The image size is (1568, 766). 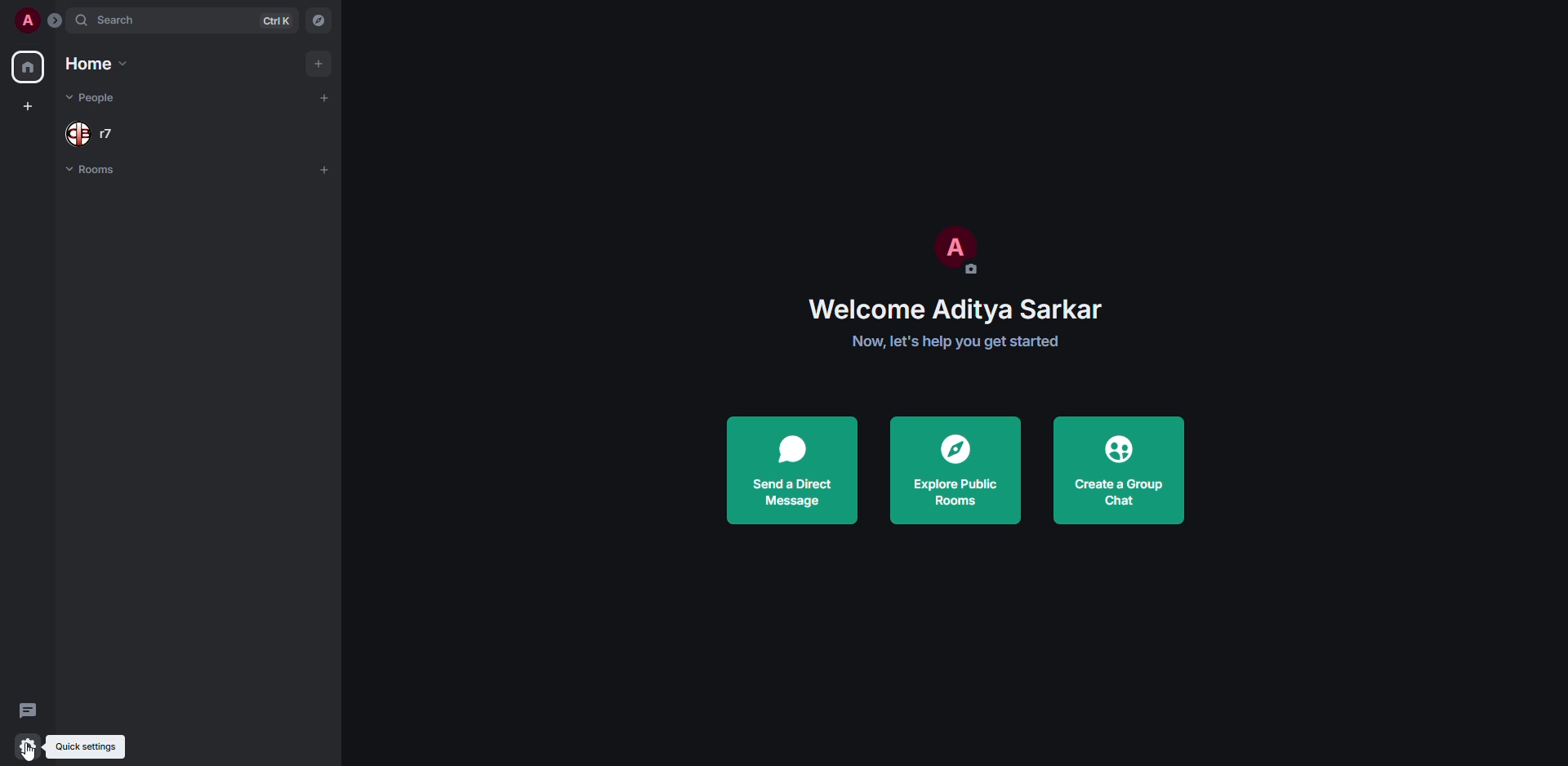 What do you see at coordinates (119, 21) in the screenshot?
I see `search` at bounding box center [119, 21].